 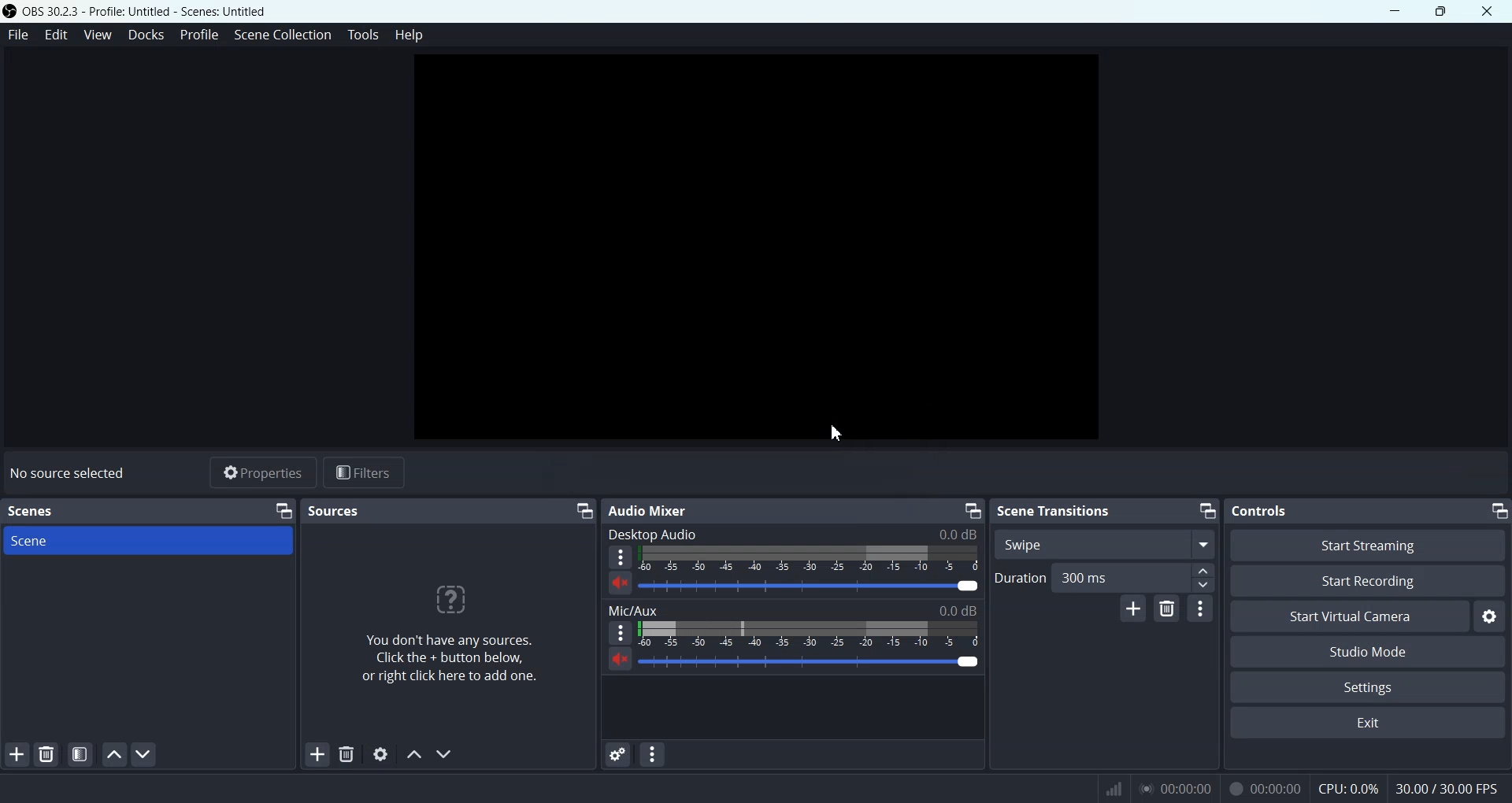 I want to click on You don't have any sources.
Click the + button below,
or right click here to add one., so click(x=447, y=637).